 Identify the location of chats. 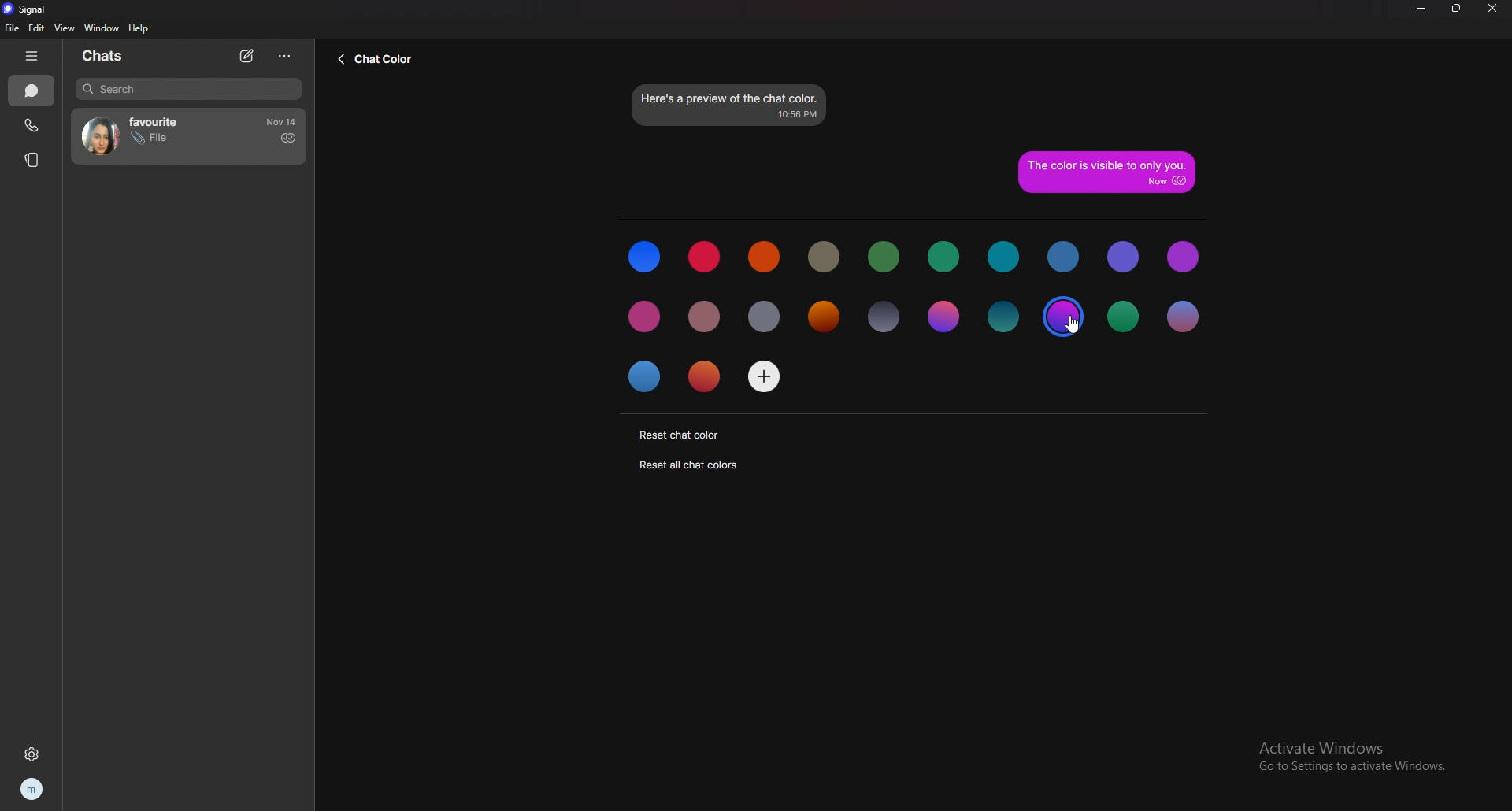
(113, 55).